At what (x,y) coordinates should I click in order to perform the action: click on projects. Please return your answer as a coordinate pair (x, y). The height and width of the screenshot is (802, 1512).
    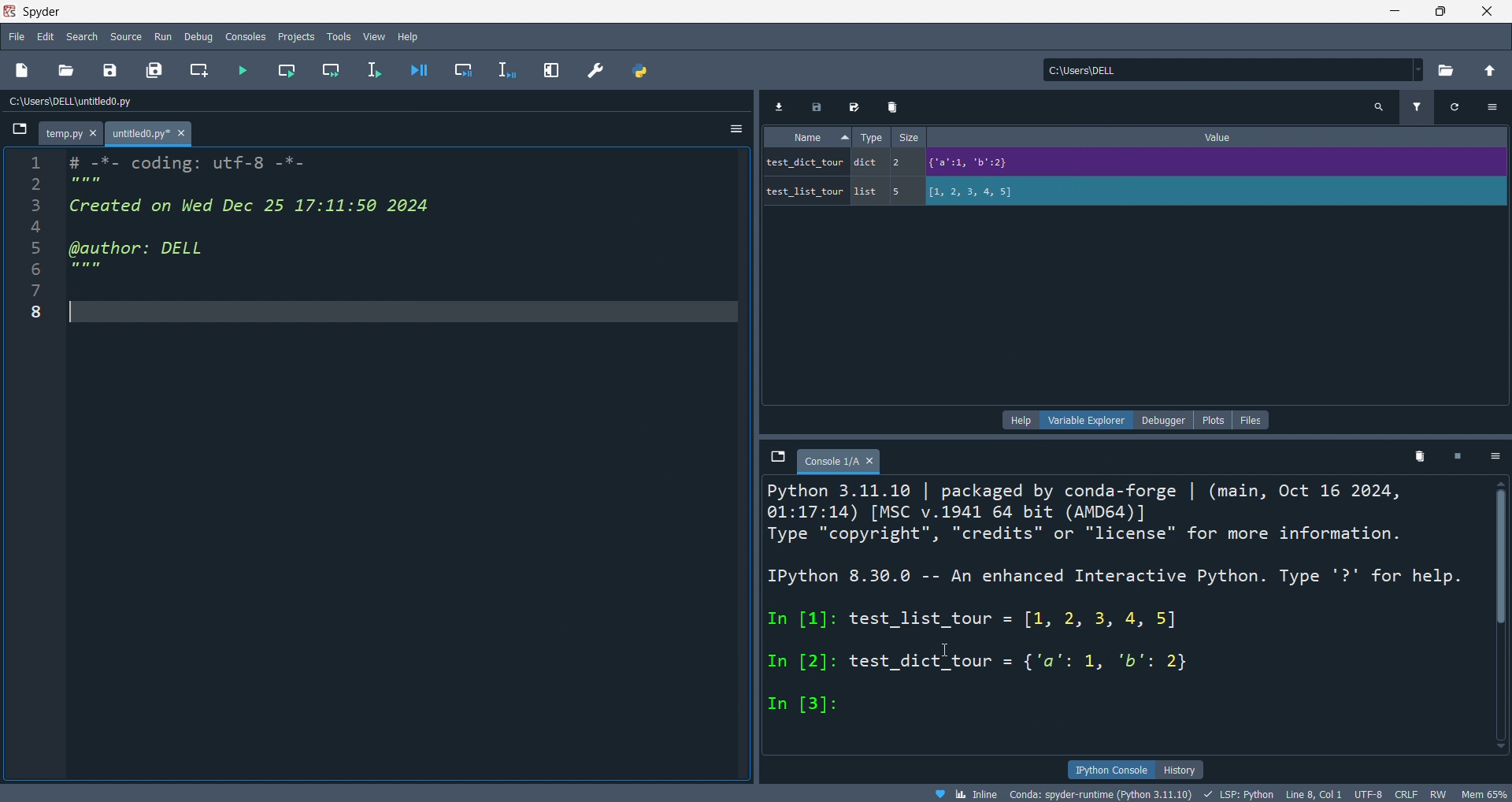
    Looking at the image, I should click on (296, 36).